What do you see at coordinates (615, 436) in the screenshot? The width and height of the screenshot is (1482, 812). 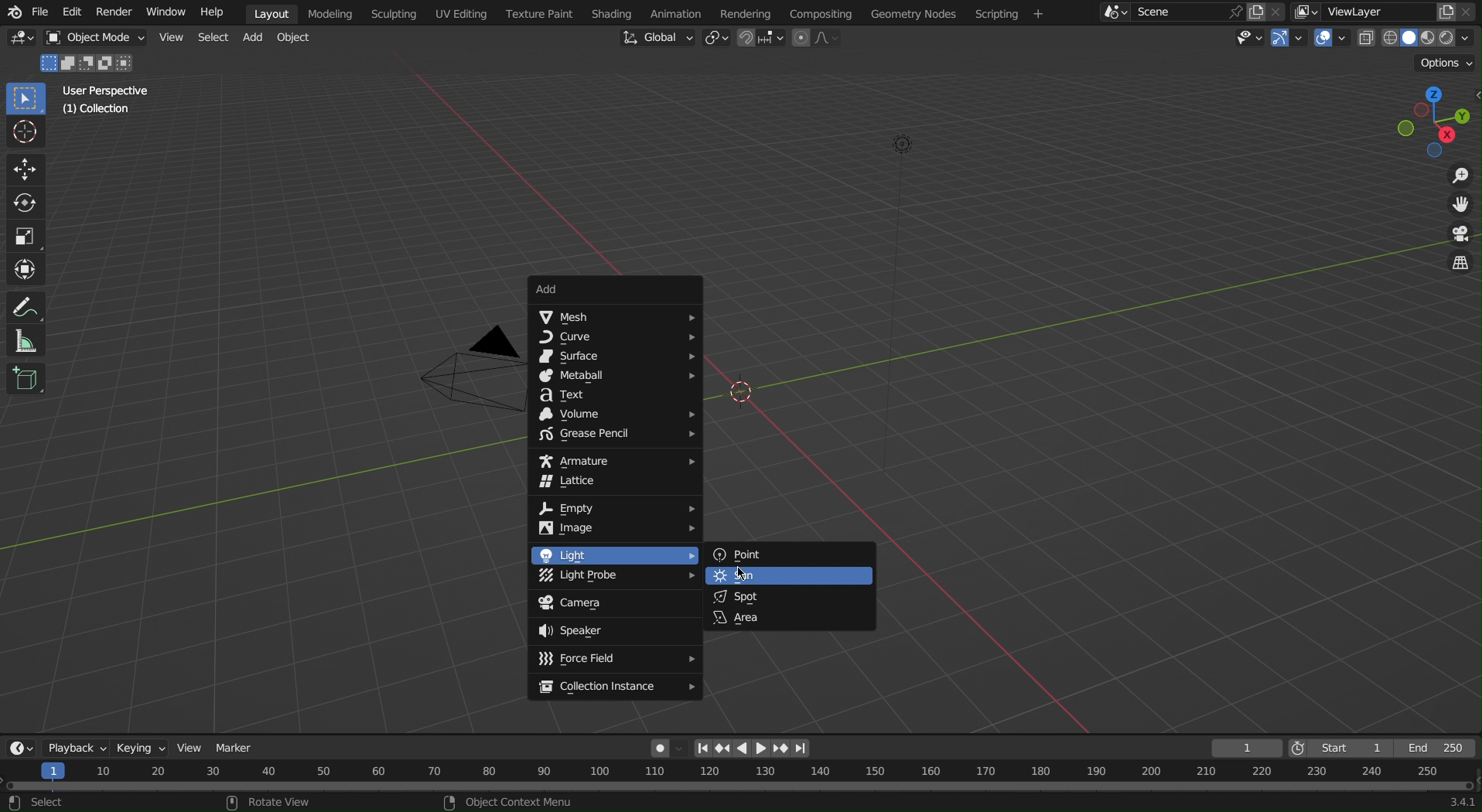 I see `Grease Pencil` at bounding box center [615, 436].